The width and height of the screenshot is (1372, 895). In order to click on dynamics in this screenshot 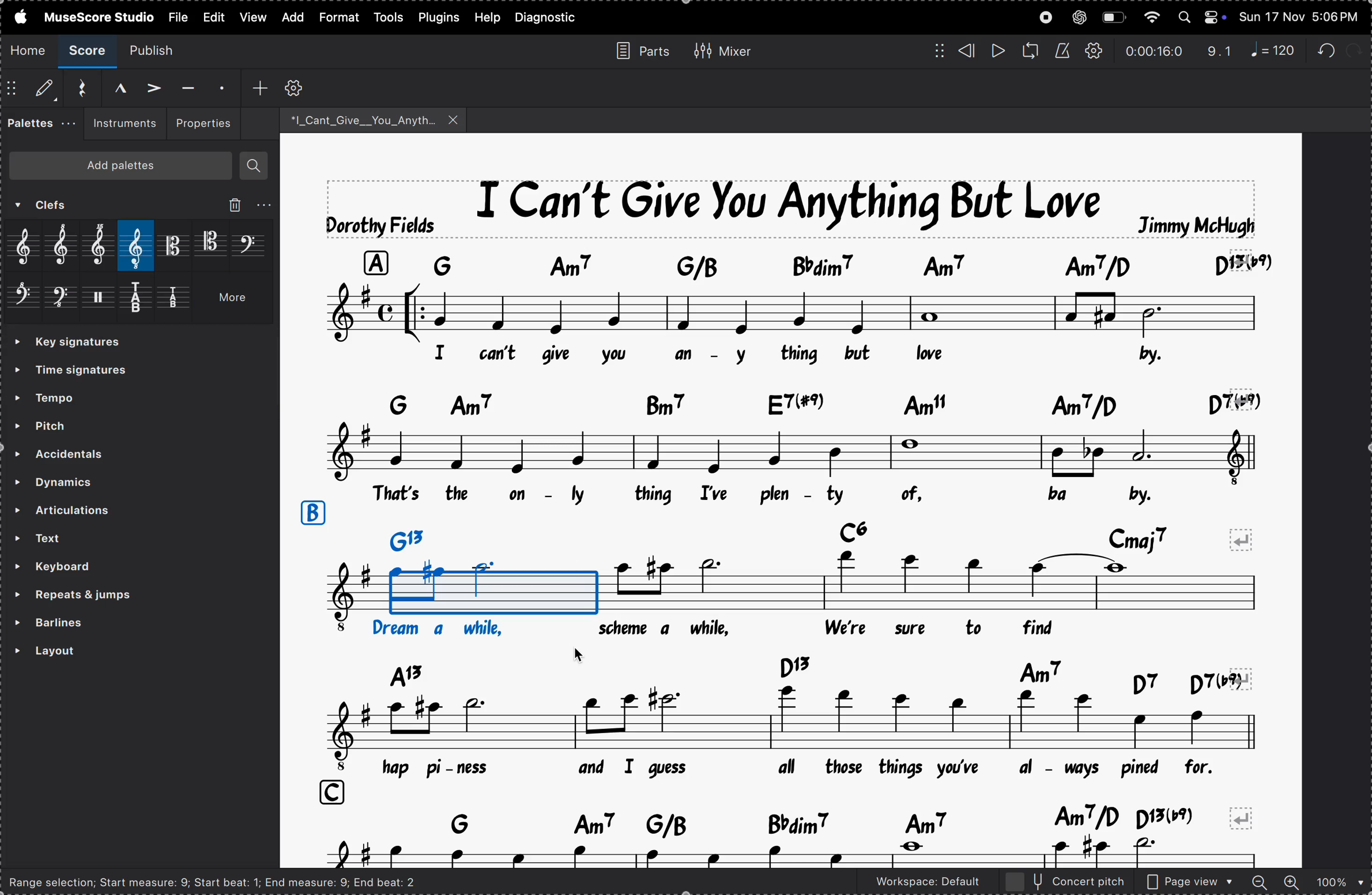, I will do `click(95, 479)`.